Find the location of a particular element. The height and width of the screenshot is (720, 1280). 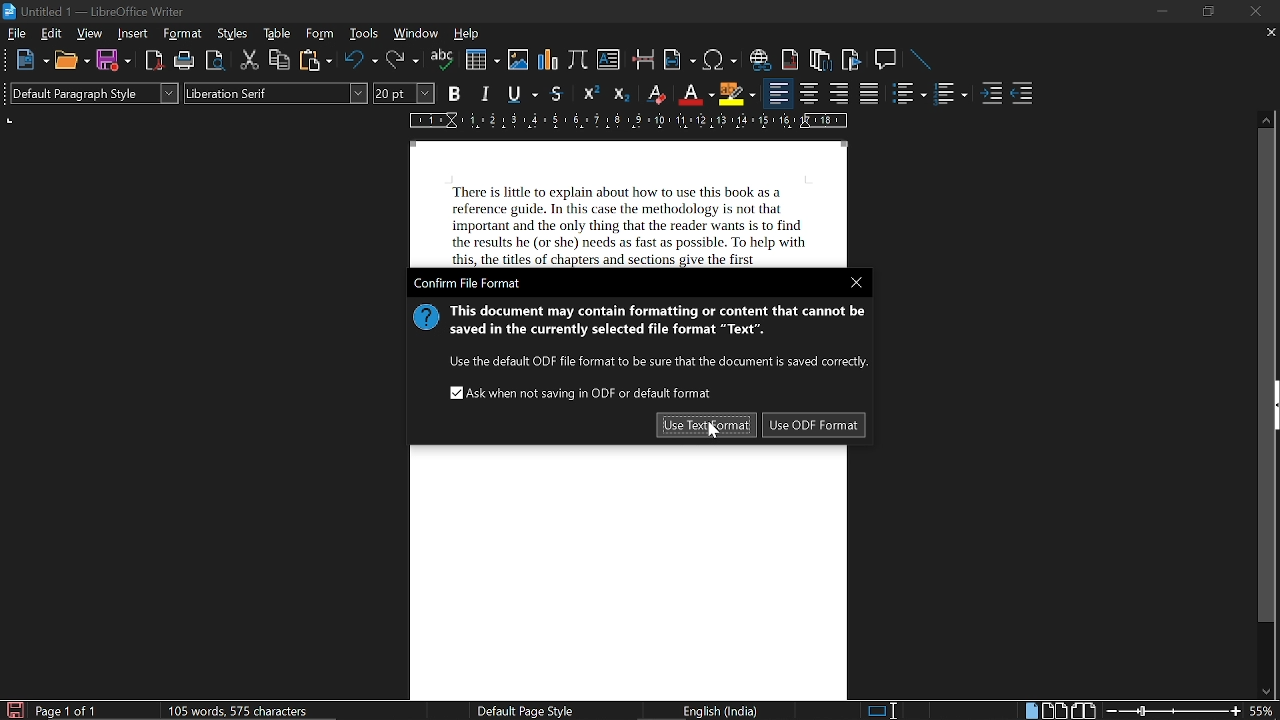

language style is located at coordinates (724, 711).